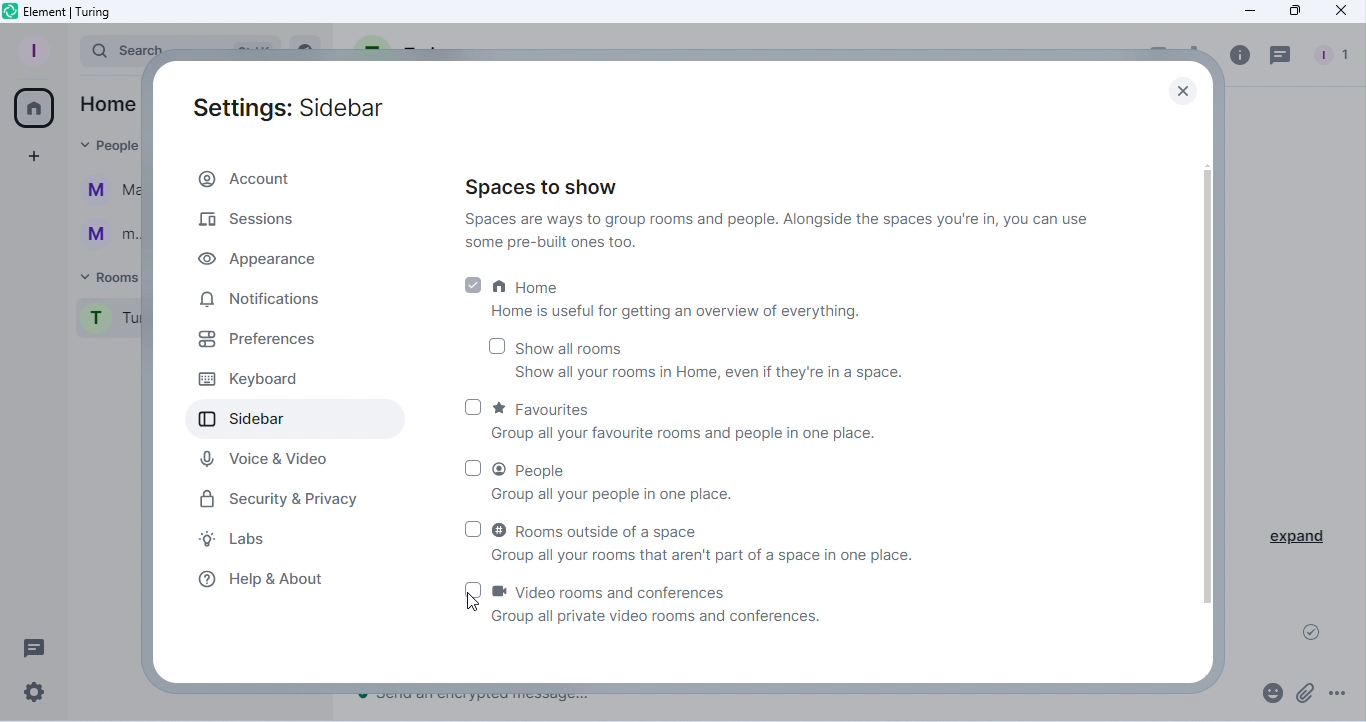 This screenshot has height=722, width=1366. I want to click on Close, so click(1174, 88).